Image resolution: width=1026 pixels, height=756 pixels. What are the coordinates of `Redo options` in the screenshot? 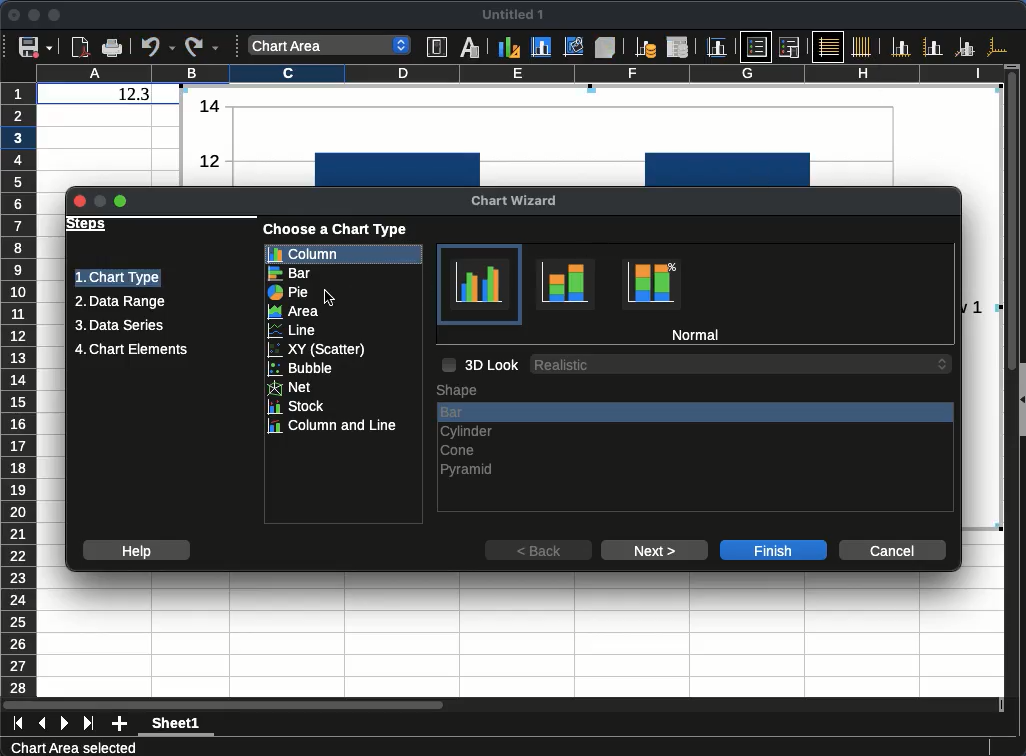 It's located at (202, 47).